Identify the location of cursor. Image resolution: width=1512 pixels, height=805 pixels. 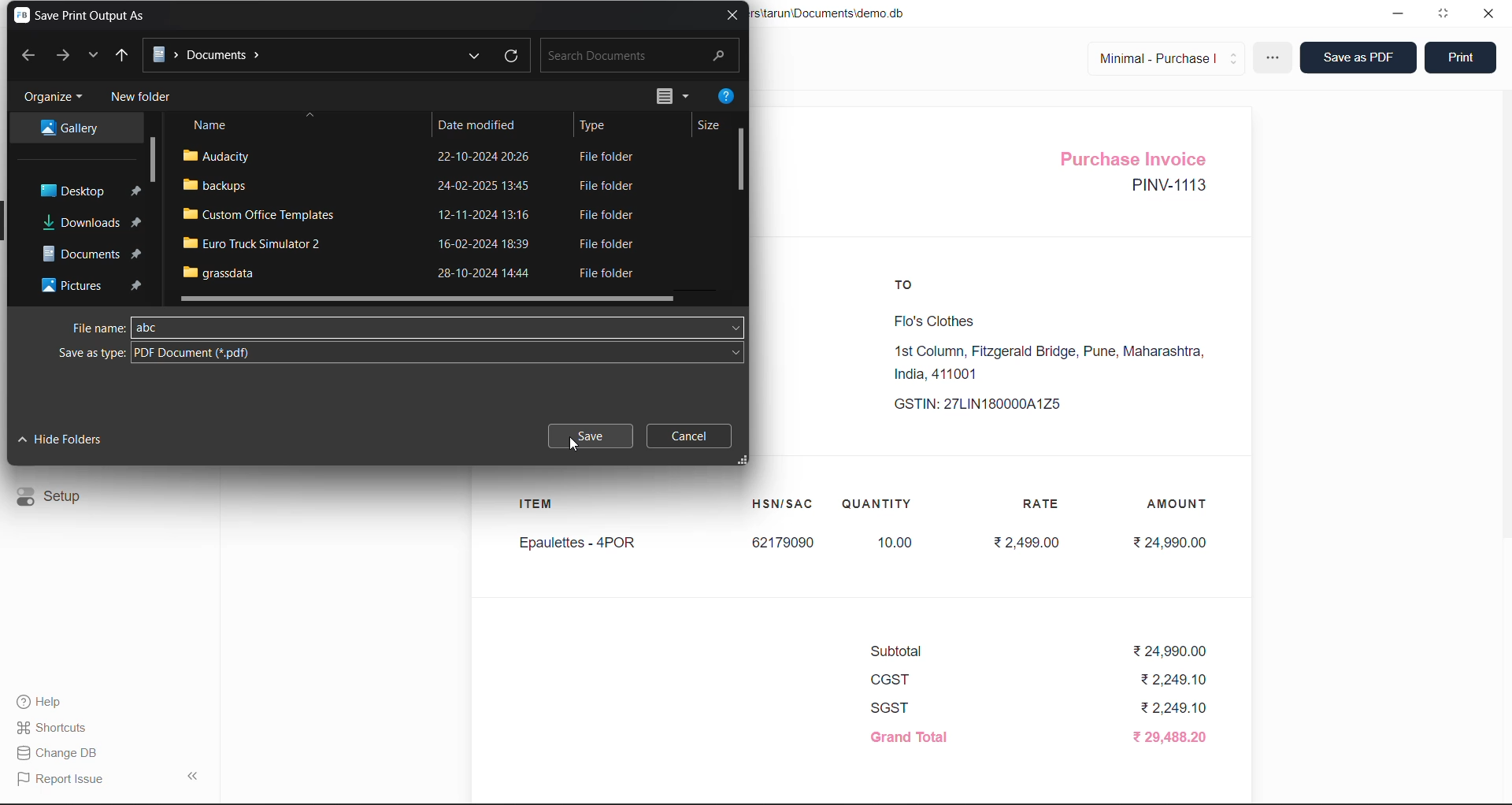
(579, 449).